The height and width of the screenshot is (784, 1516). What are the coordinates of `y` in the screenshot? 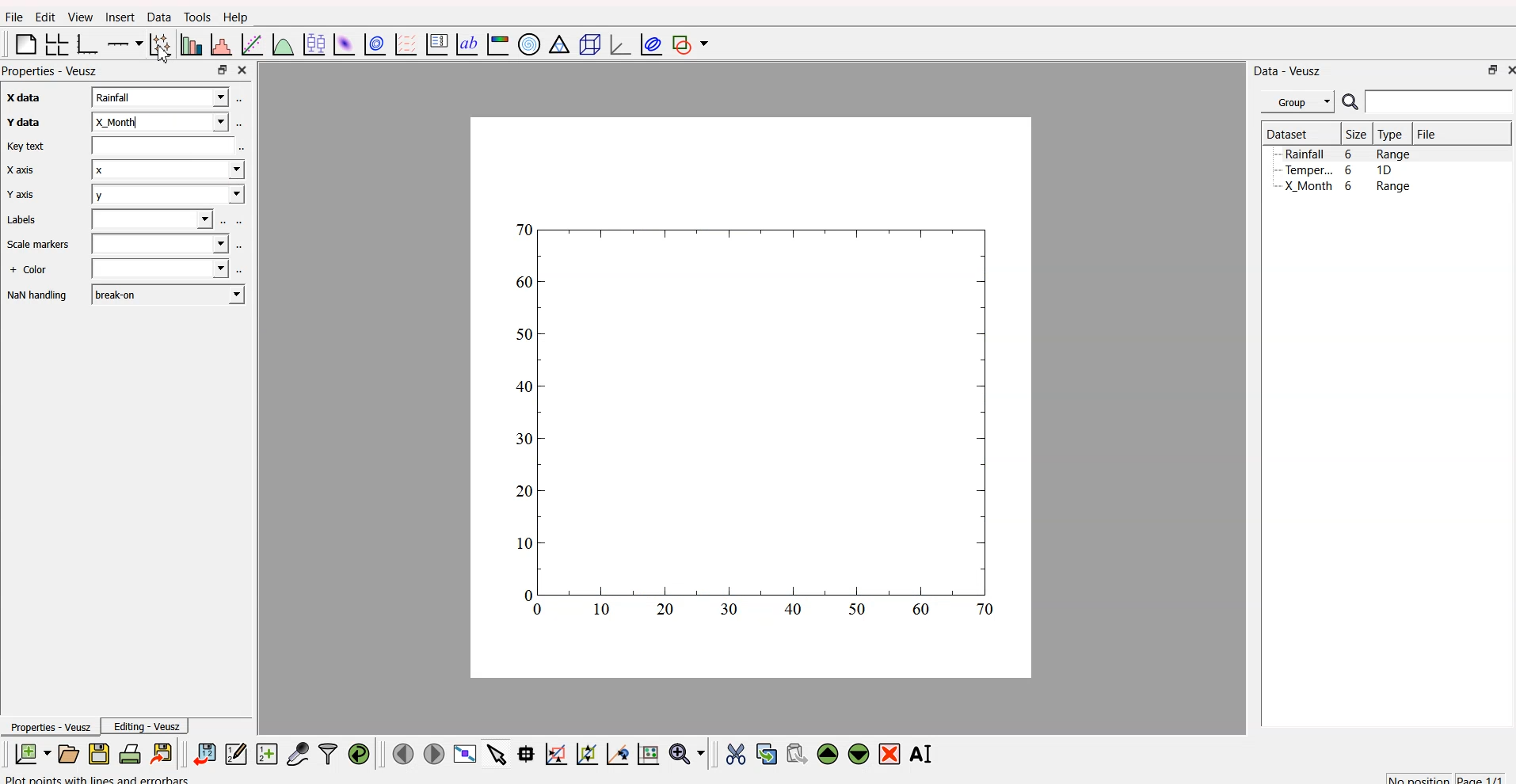 It's located at (166, 196).